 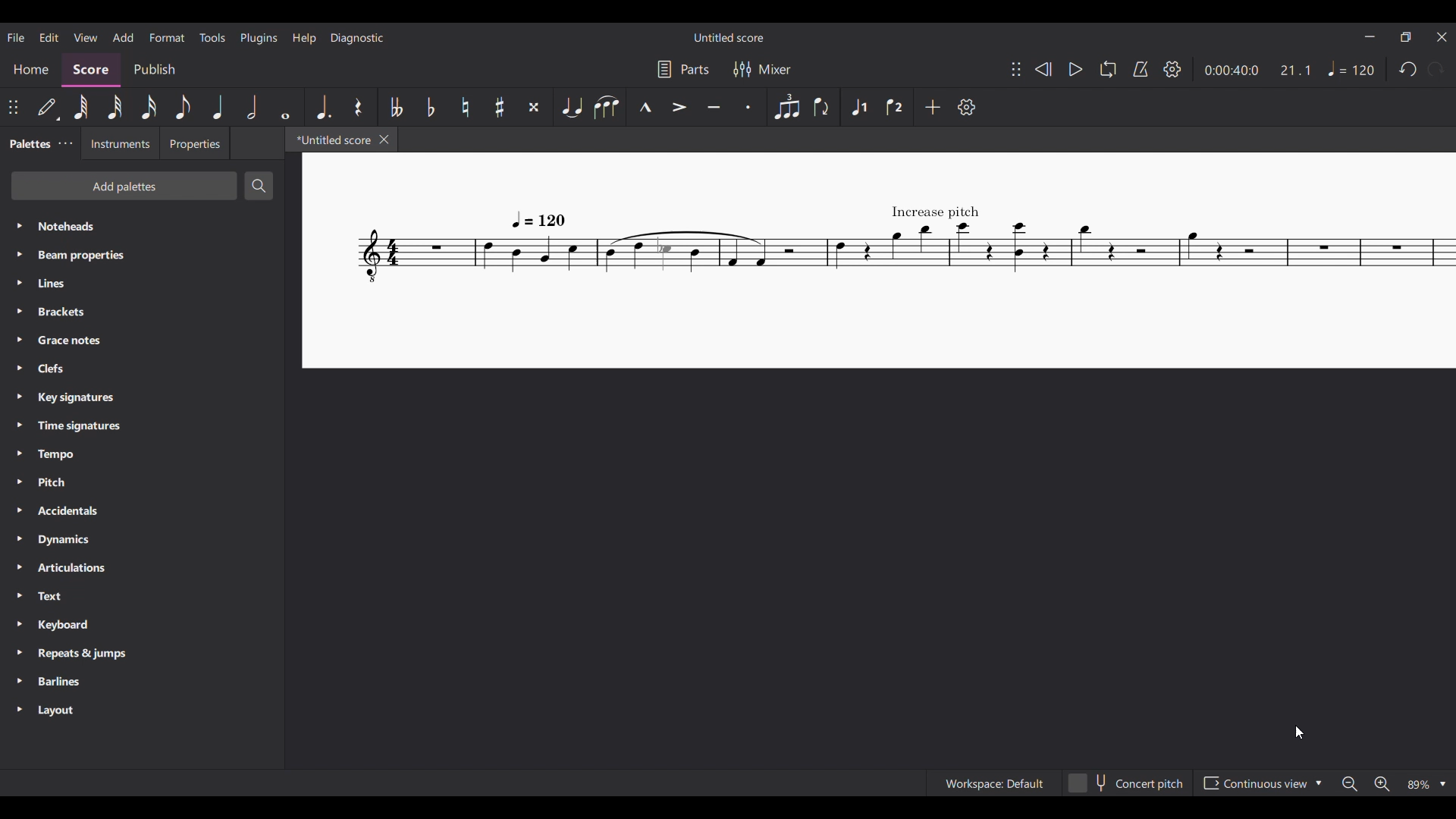 I want to click on Default, so click(x=48, y=106).